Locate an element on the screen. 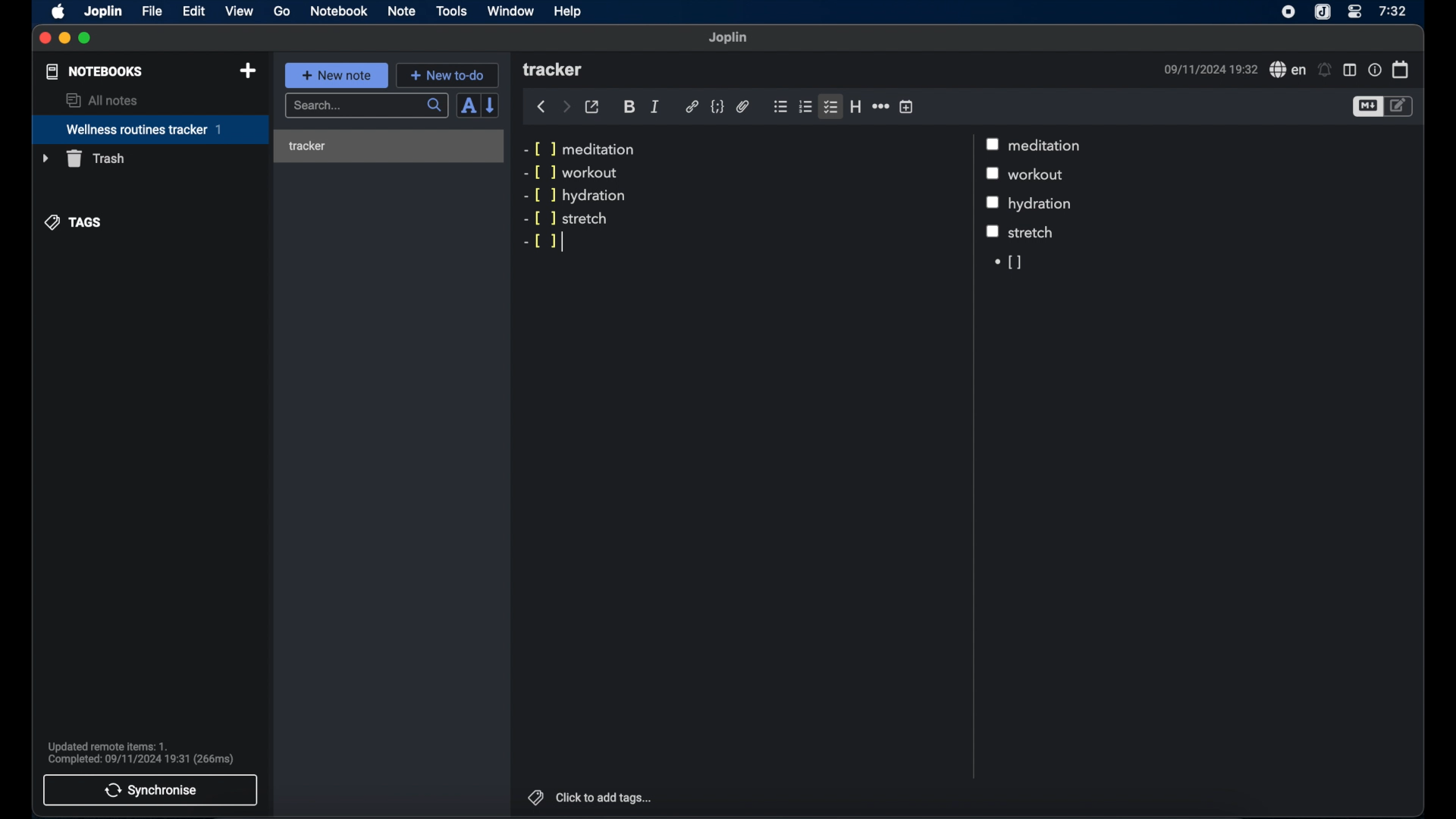 The width and height of the screenshot is (1456, 819). close is located at coordinates (45, 39).